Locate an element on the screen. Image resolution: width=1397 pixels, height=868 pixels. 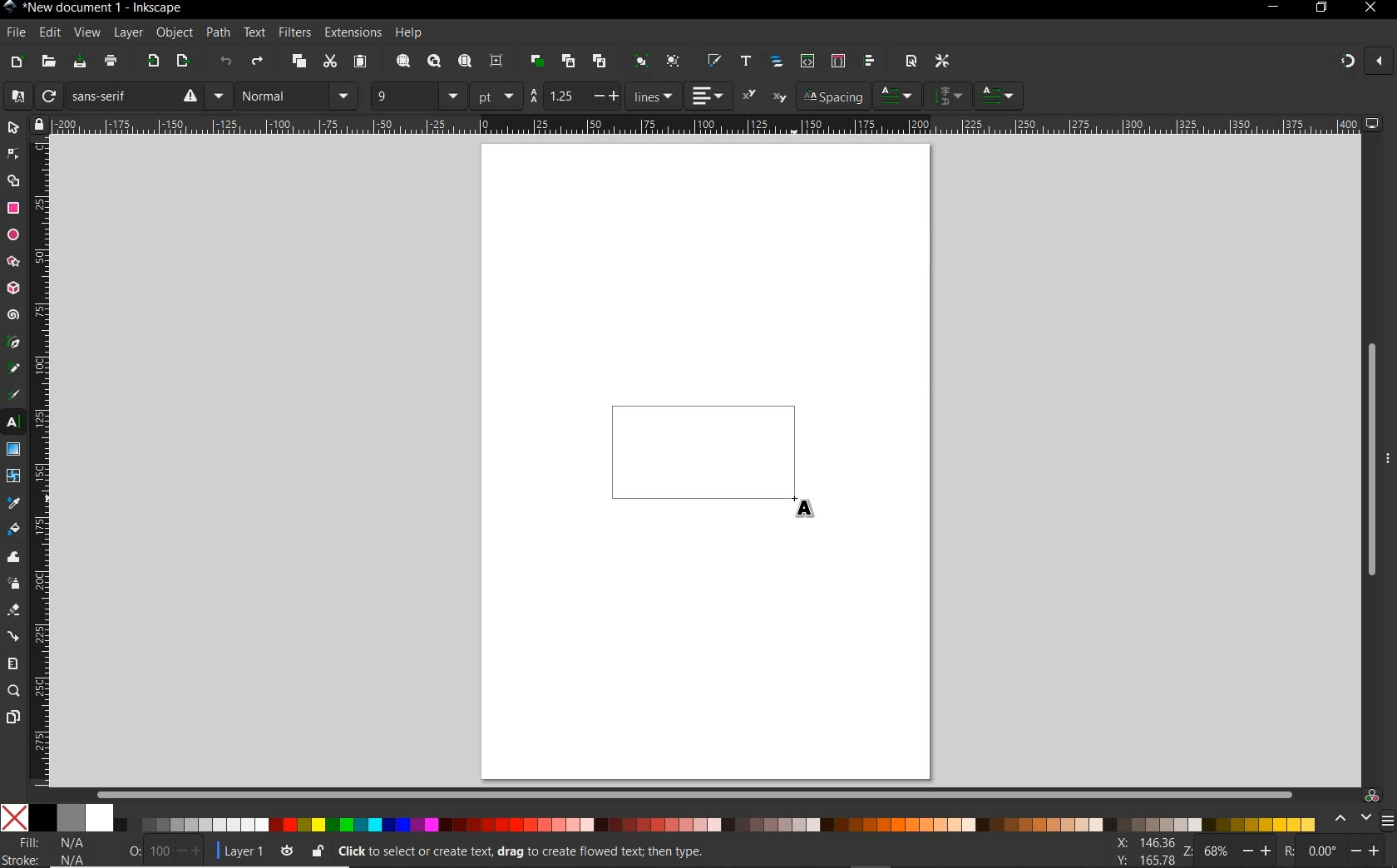
layer1 is located at coordinates (239, 848).